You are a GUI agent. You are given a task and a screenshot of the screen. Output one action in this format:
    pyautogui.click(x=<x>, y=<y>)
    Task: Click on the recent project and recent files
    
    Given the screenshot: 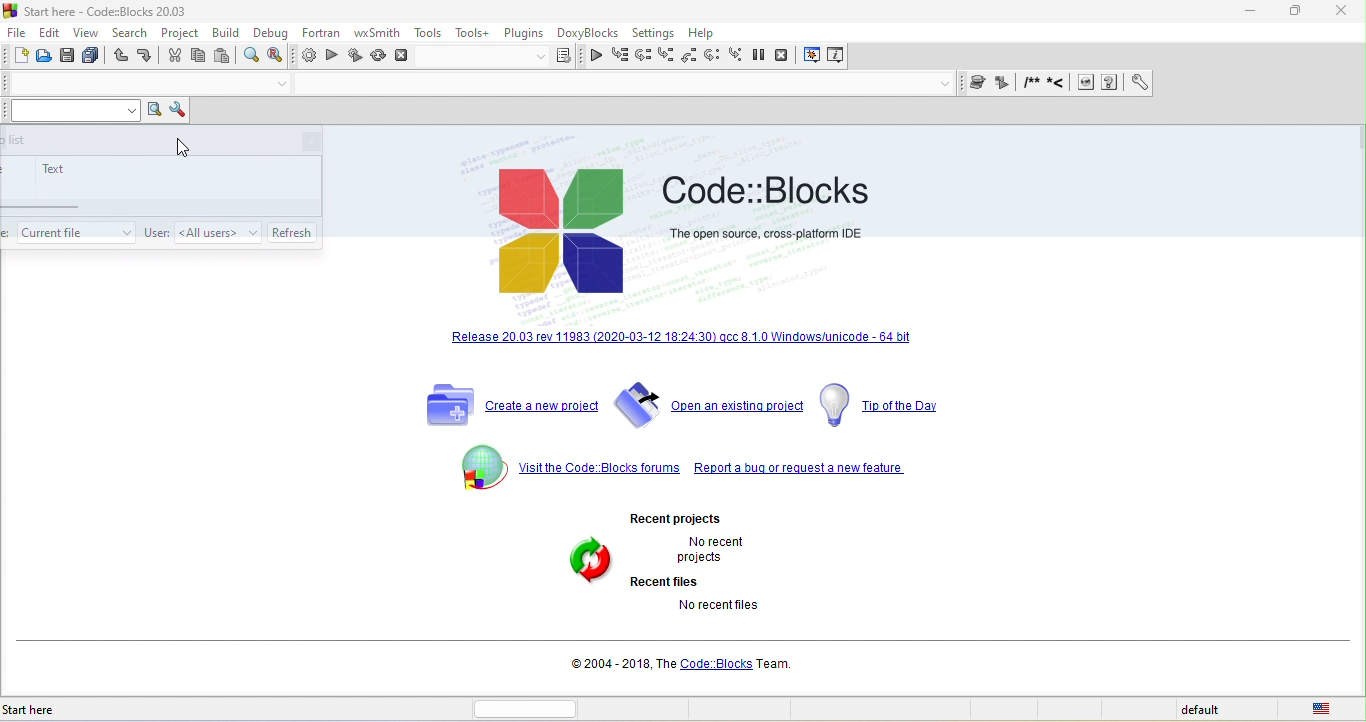 What is the action you would take?
    pyautogui.click(x=590, y=578)
    